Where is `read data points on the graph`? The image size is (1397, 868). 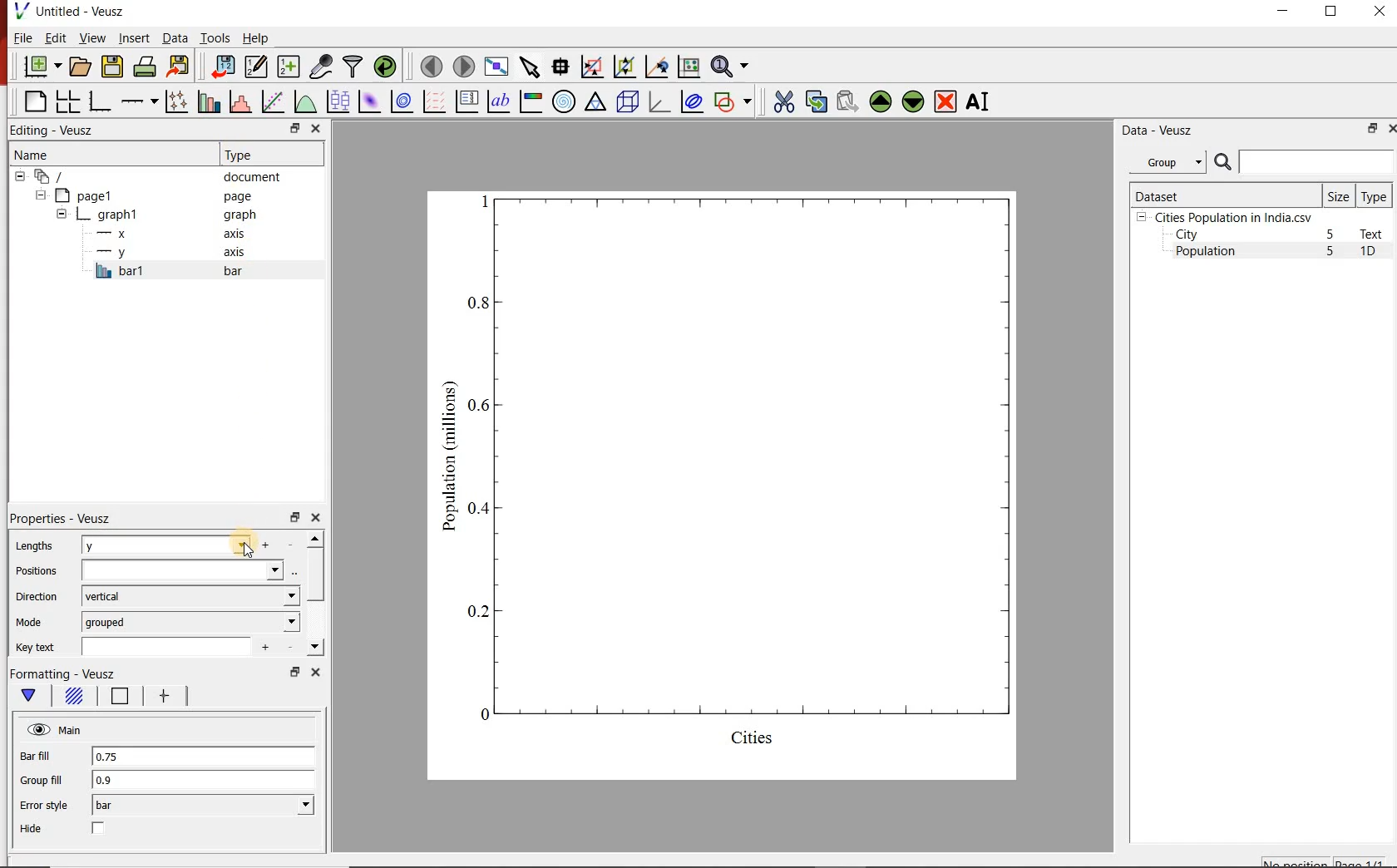
read data points on the graph is located at coordinates (560, 65).